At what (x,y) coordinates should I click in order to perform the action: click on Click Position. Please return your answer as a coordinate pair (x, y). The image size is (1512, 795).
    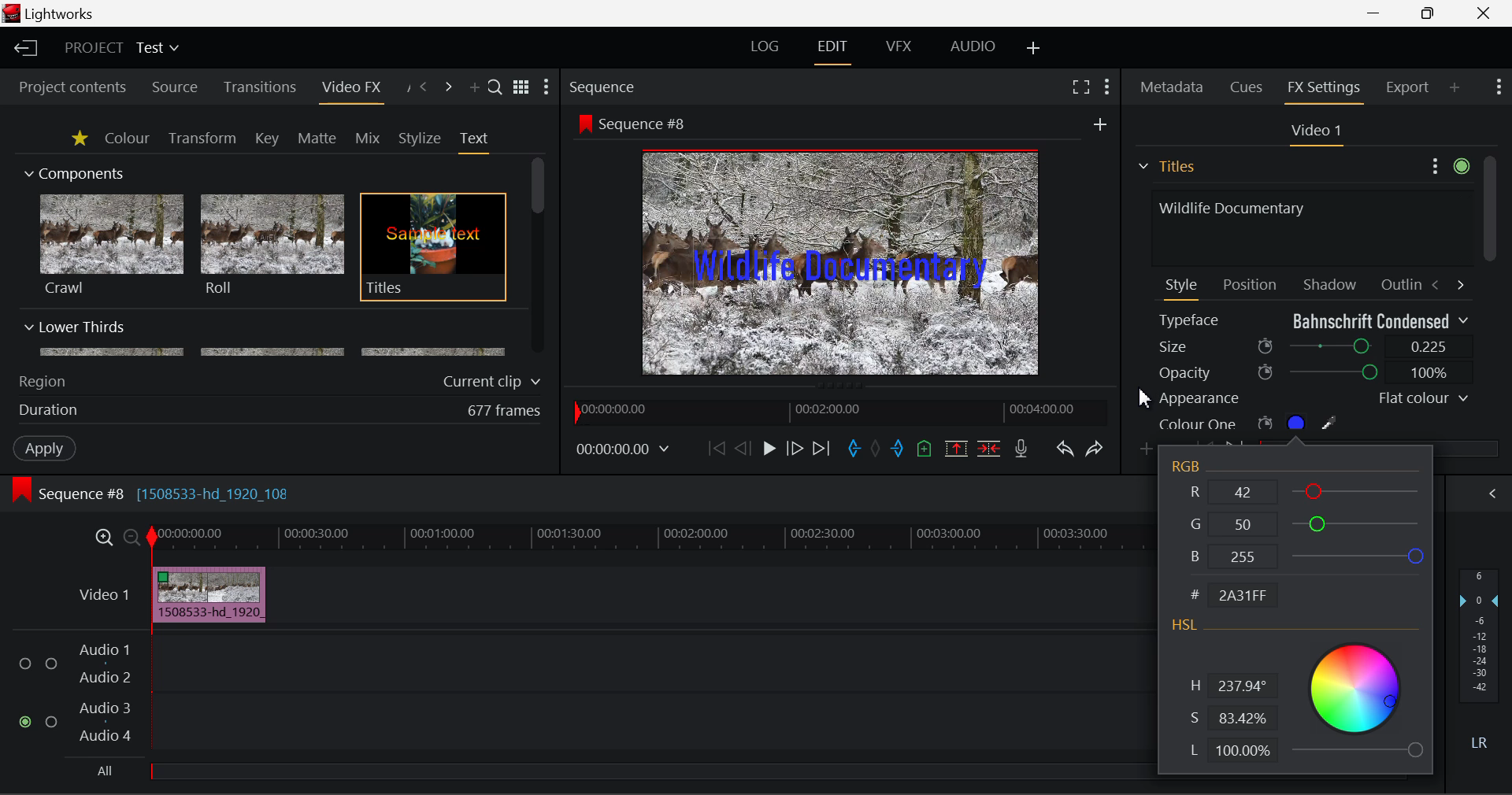
    Looking at the image, I should click on (1147, 401).